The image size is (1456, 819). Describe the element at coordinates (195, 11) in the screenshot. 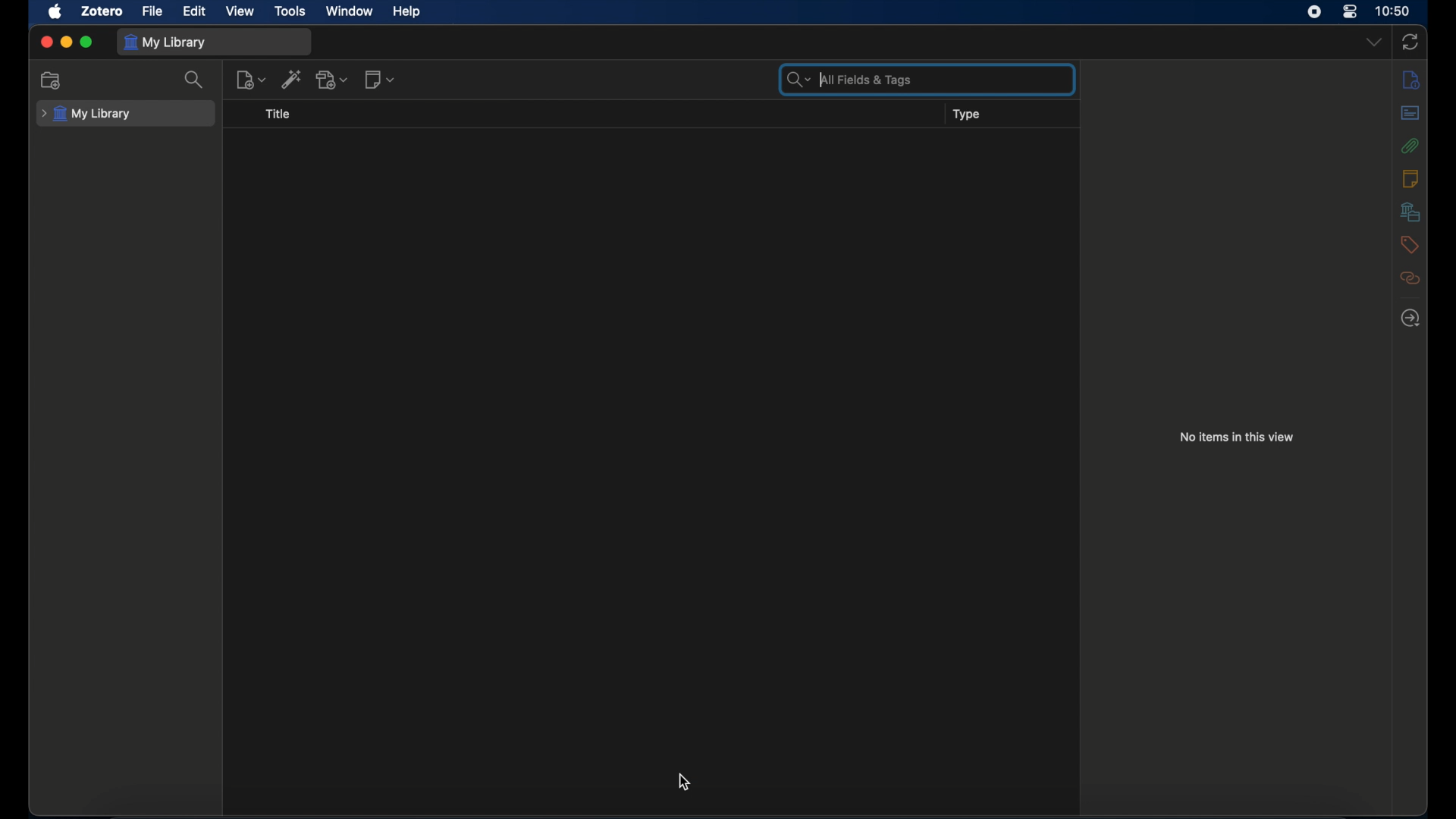

I see `edit` at that location.